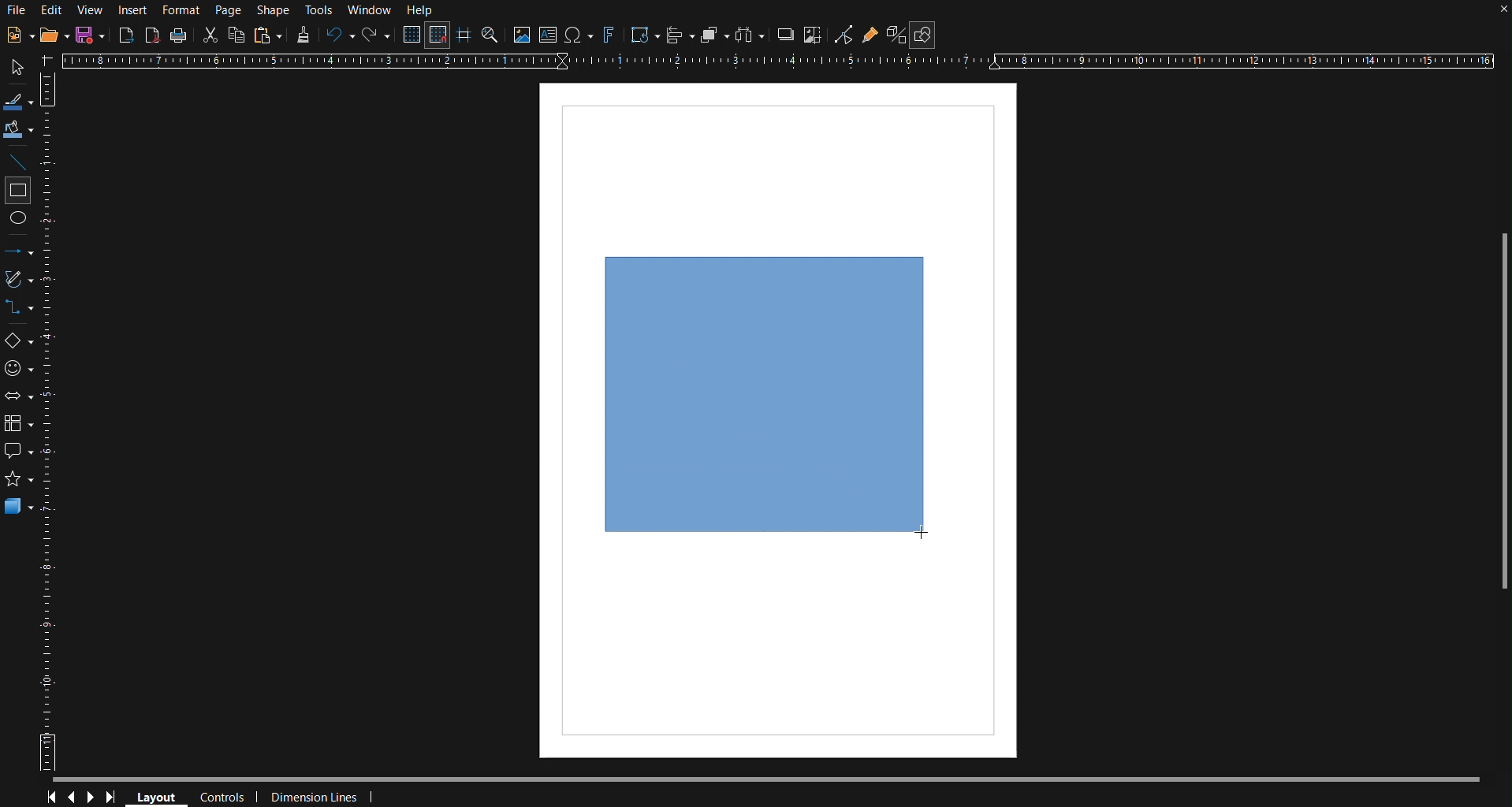 This screenshot has width=1512, height=807. I want to click on Save, so click(91, 35).